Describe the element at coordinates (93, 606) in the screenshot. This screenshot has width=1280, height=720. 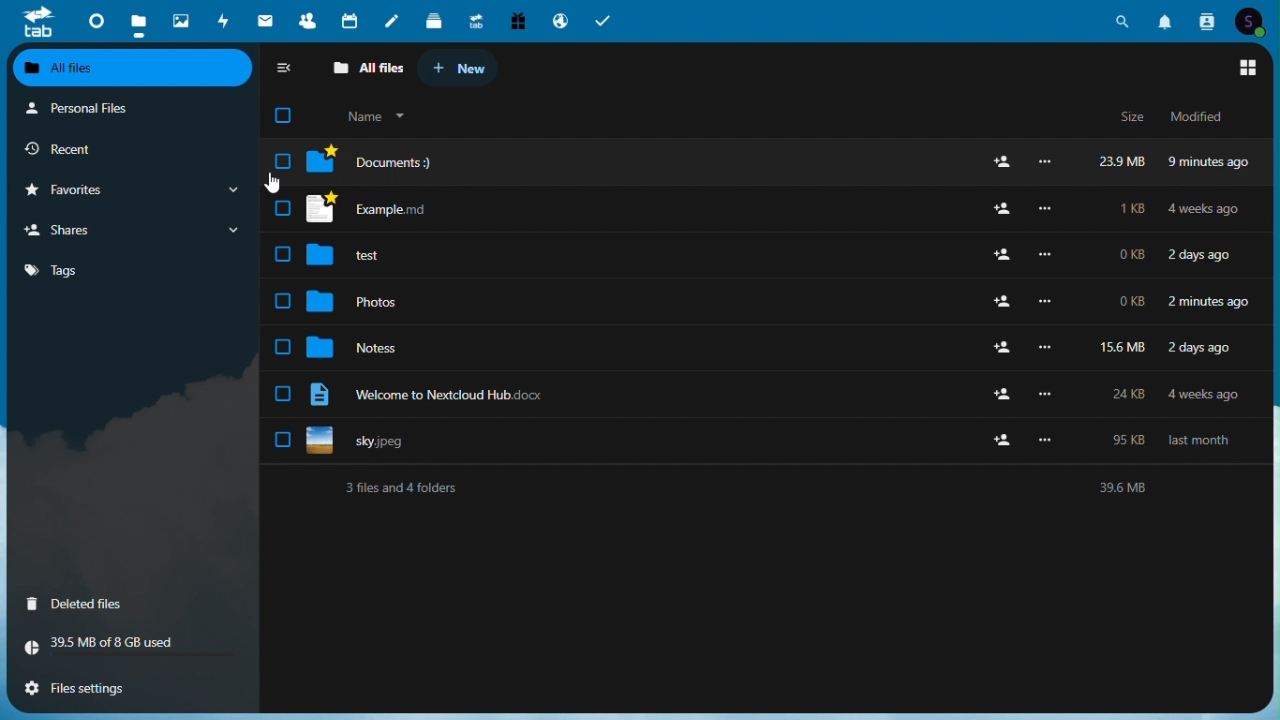
I see `Deleted files` at that location.